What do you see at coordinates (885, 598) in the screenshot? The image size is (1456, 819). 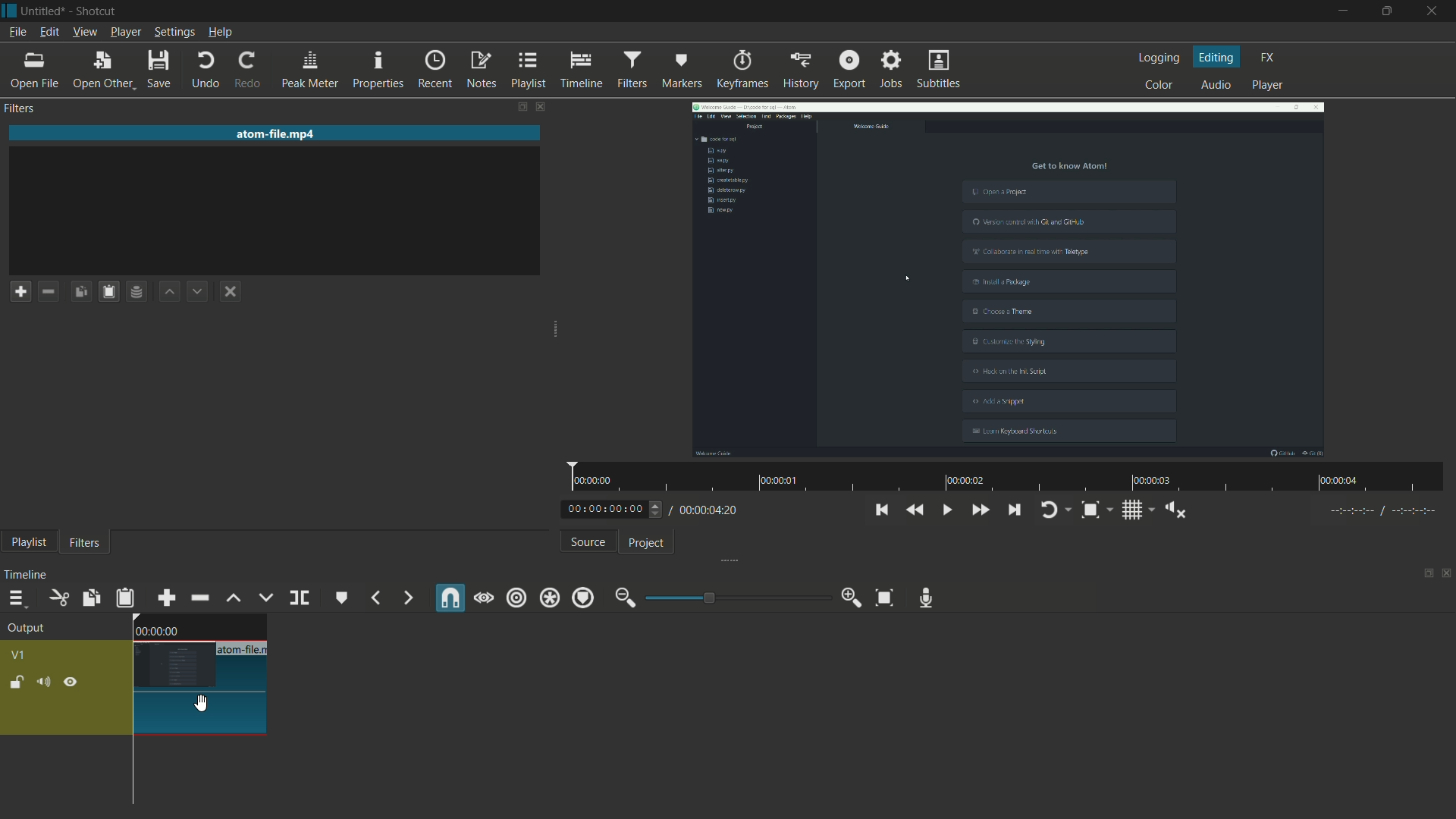 I see `zoom timeline to fit` at bounding box center [885, 598].